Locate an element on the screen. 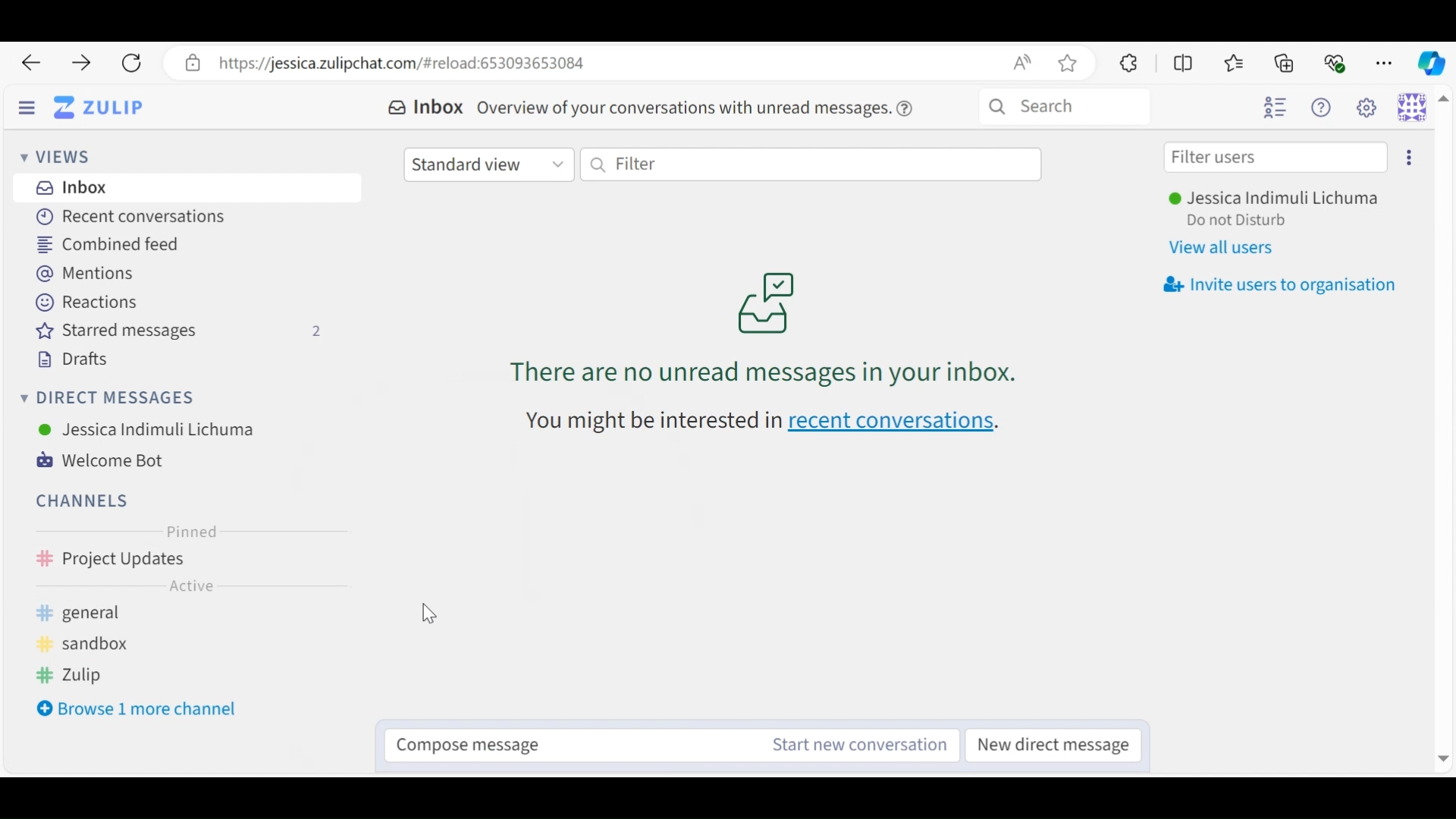  Split Screen is located at coordinates (1185, 63).